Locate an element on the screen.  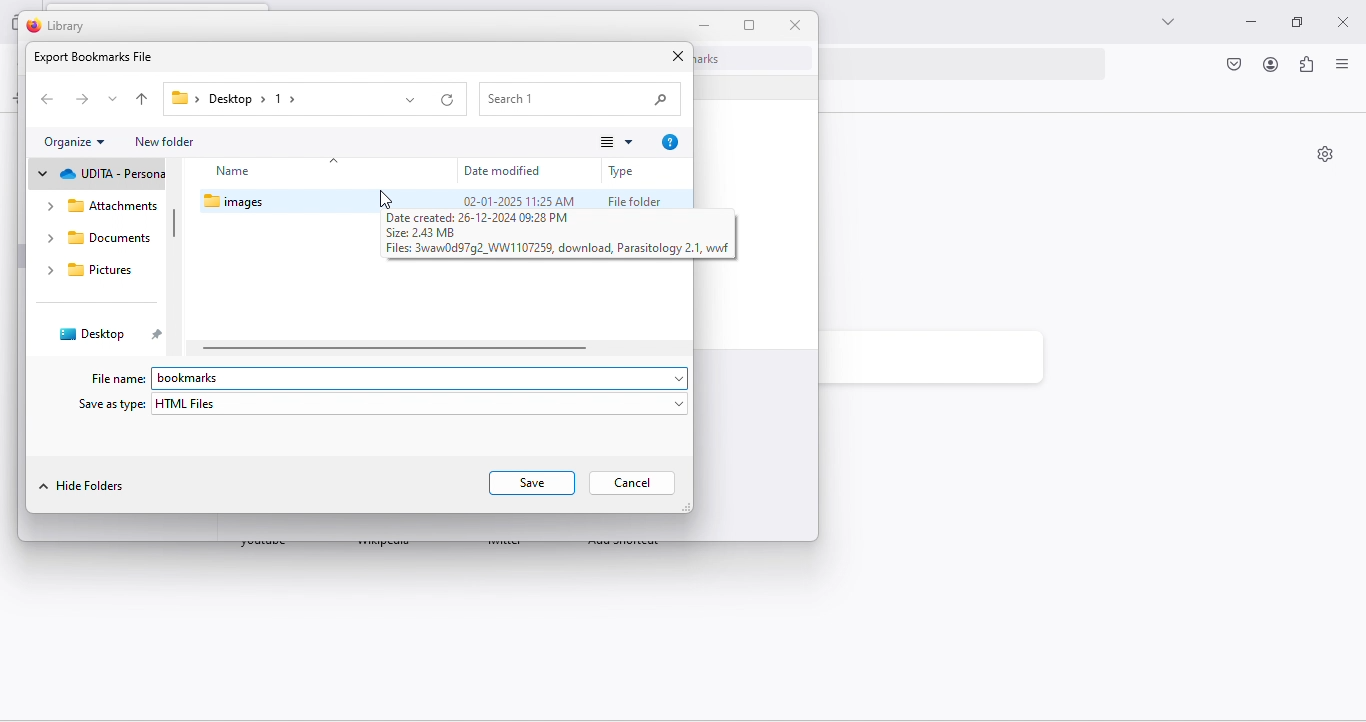
Files: 3waw0d97g2 WW1107259, download, Parasitology 2.1, wwf is located at coordinates (558, 249).